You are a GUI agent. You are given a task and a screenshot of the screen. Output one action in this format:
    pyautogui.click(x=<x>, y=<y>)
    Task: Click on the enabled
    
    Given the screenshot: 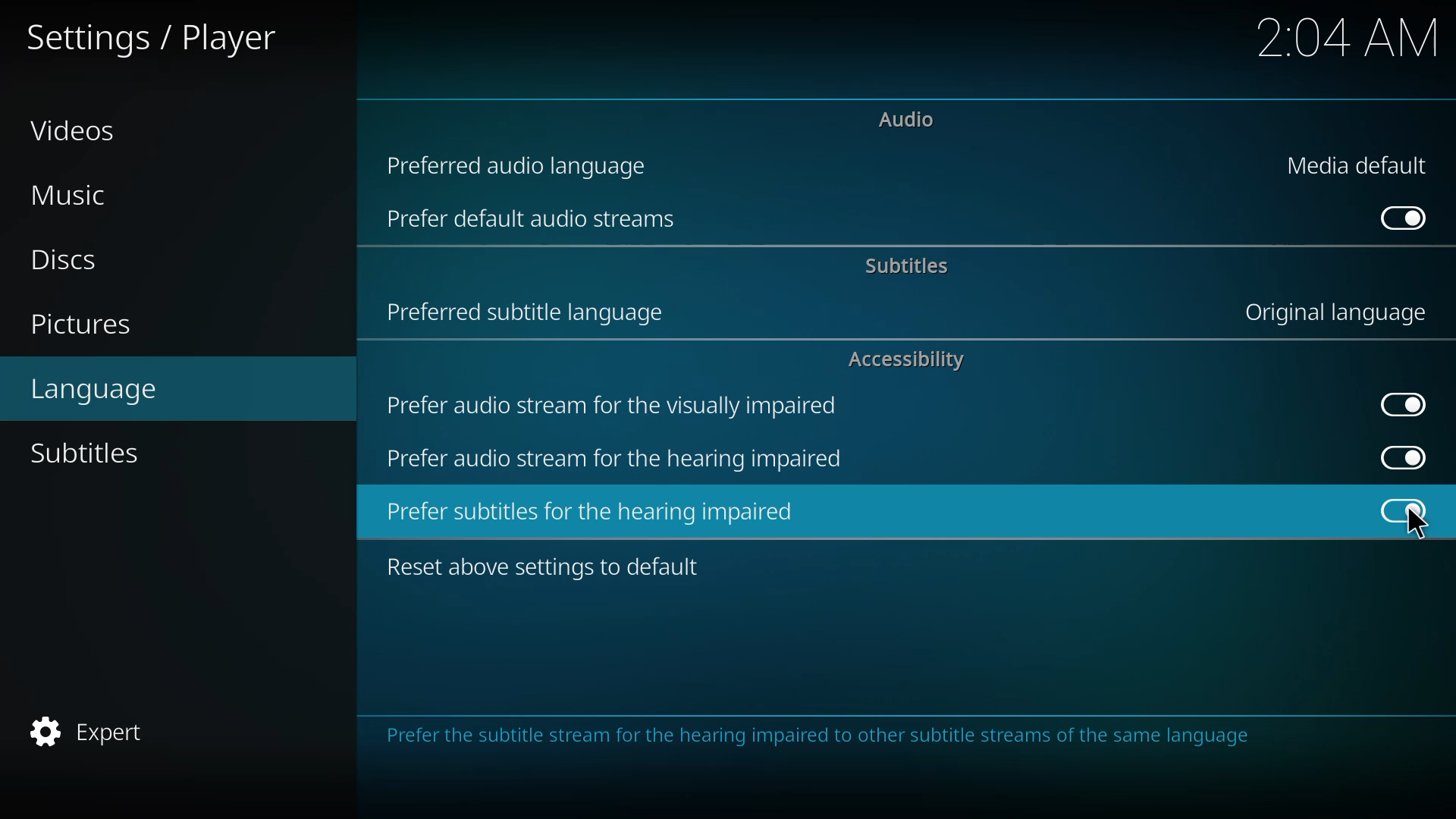 What is the action you would take?
    pyautogui.click(x=1401, y=405)
    